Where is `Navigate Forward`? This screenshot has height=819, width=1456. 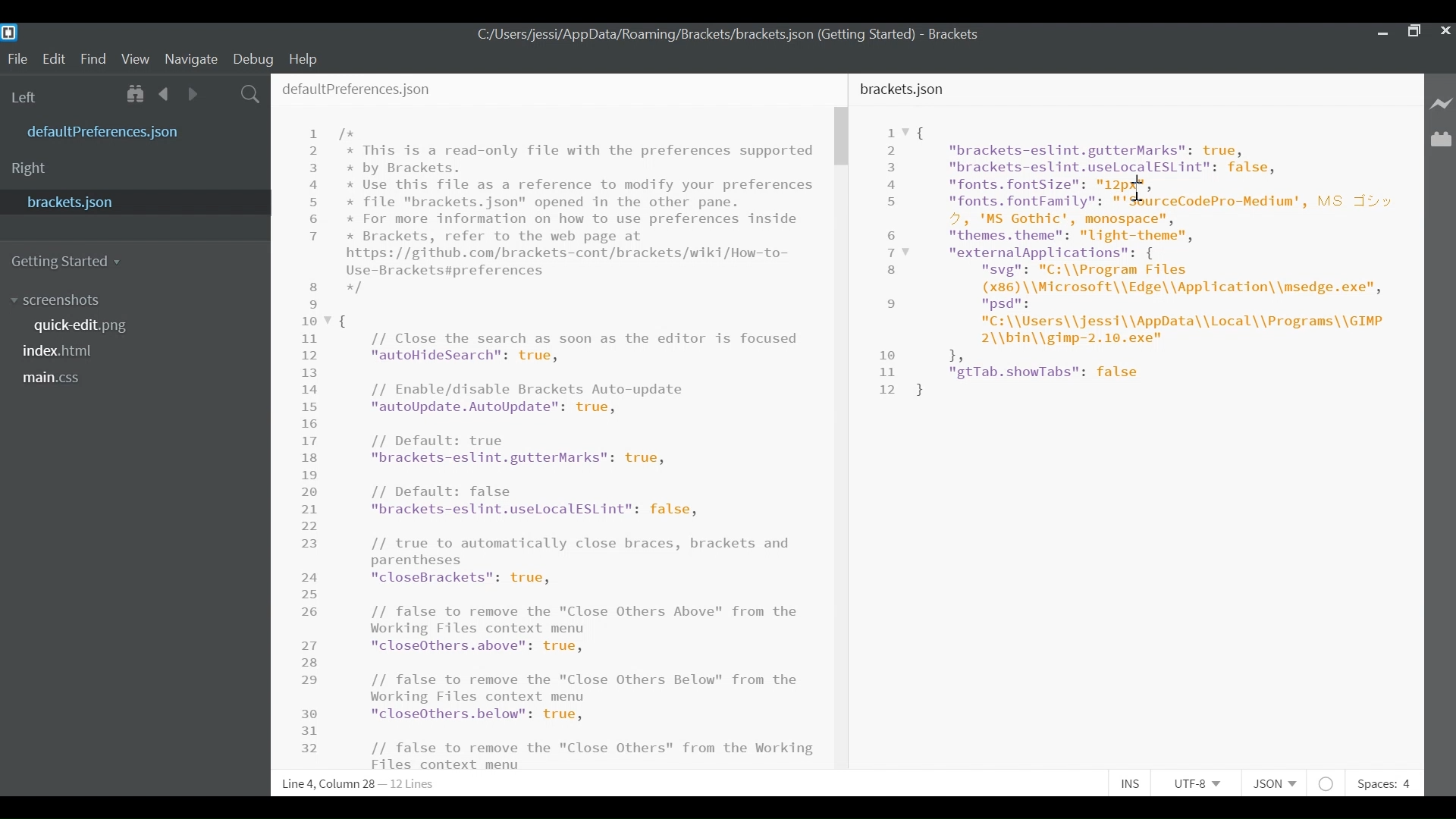
Navigate Forward is located at coordinates (193, 94).